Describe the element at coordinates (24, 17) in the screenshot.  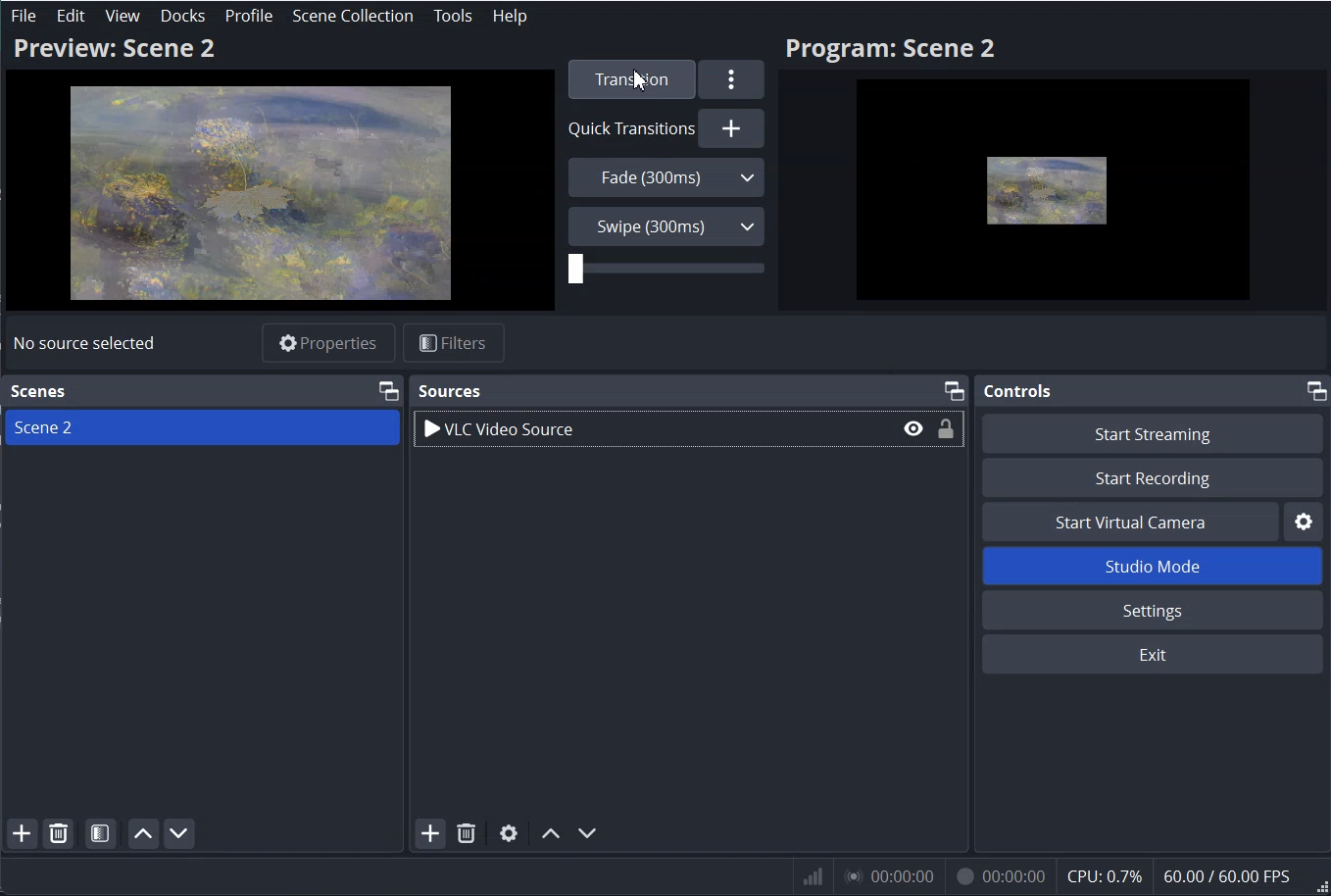
I see `File` at that location.